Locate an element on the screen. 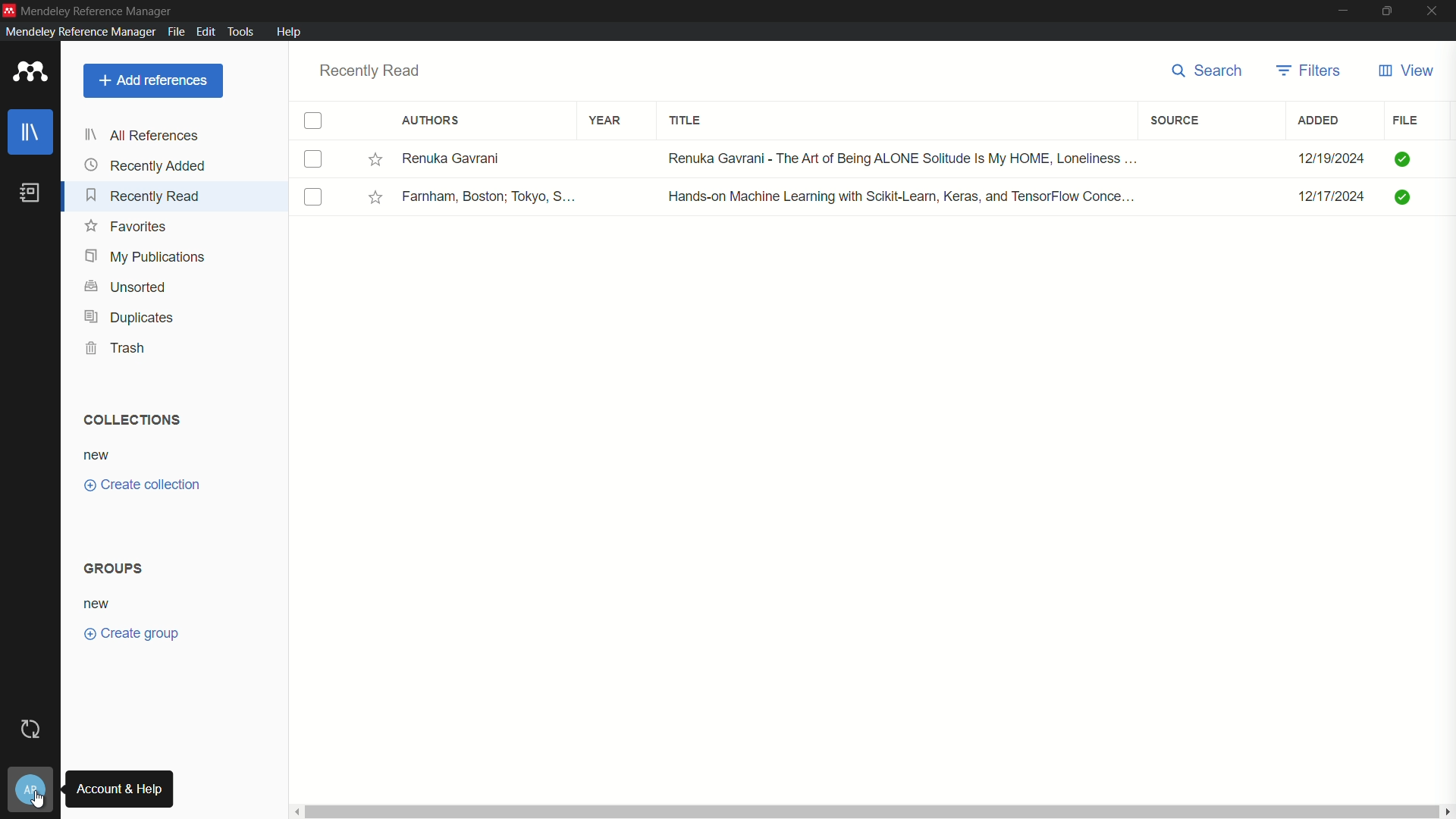  all references is located at coordinates (141, 135).